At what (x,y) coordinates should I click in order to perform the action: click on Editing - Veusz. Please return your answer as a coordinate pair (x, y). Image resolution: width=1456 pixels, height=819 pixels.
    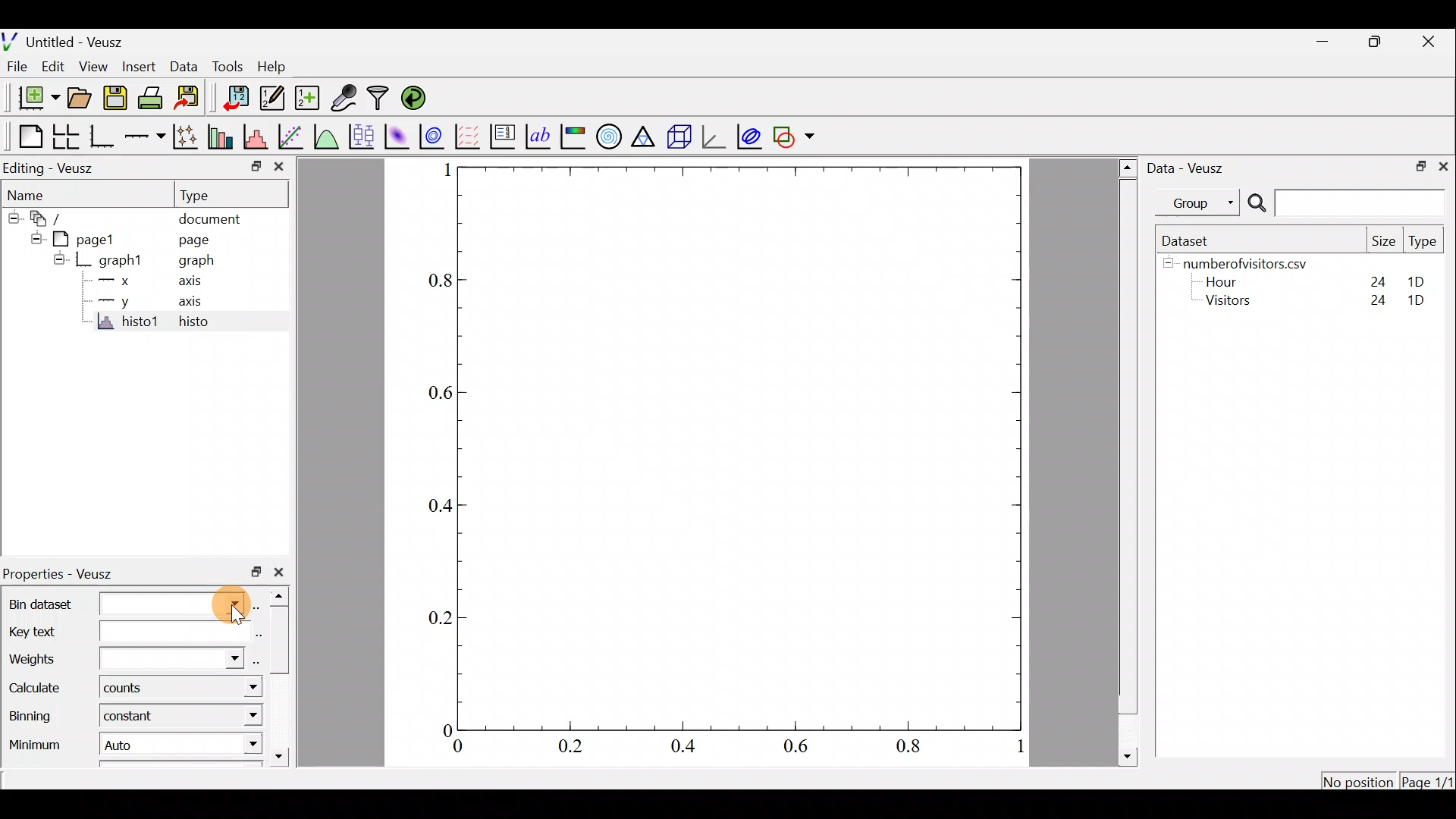
    Looking at the image, I should click on (52, 168).